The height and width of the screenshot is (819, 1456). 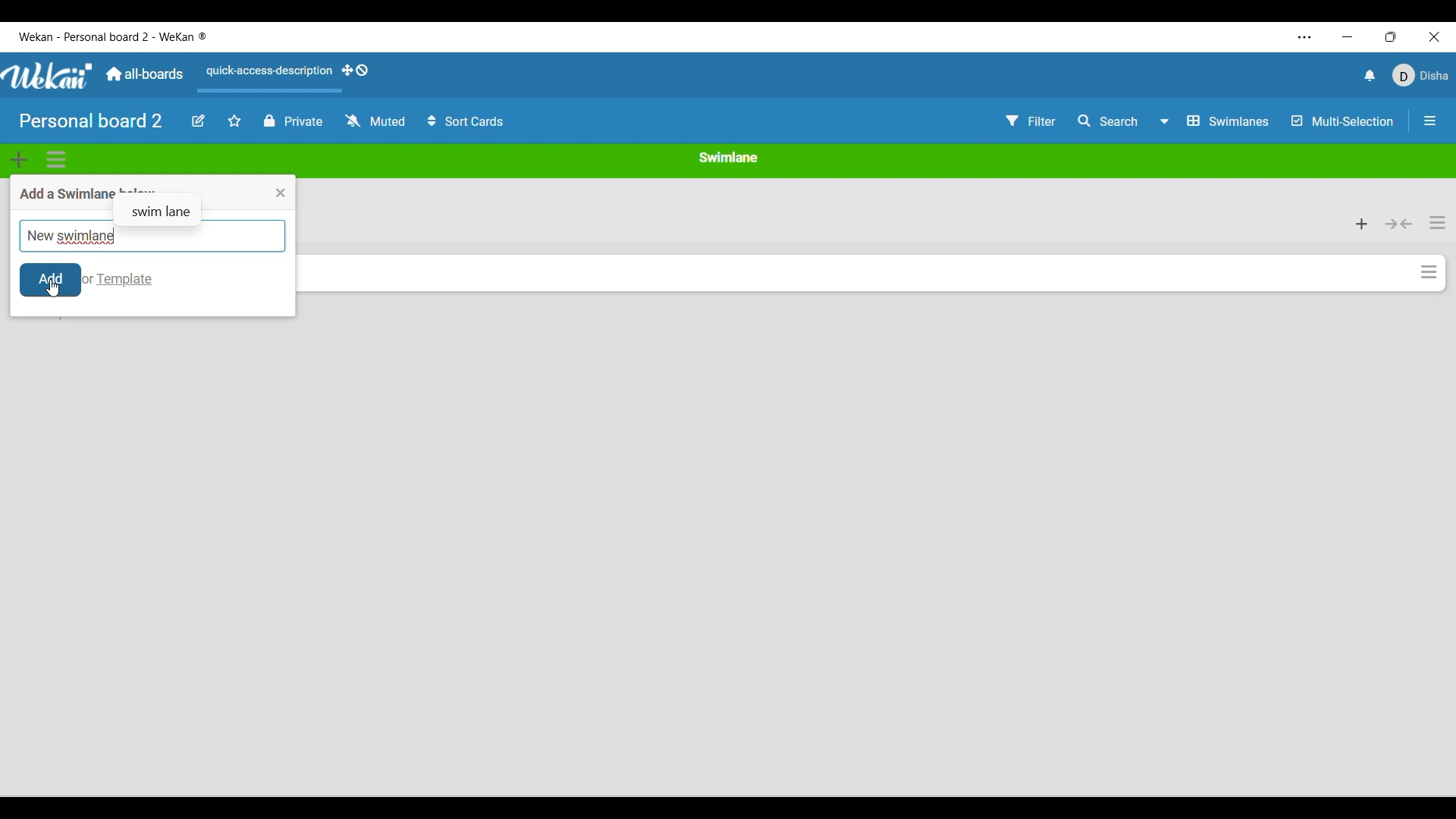 I want to click on Close settings, so click(x=281, y=193).